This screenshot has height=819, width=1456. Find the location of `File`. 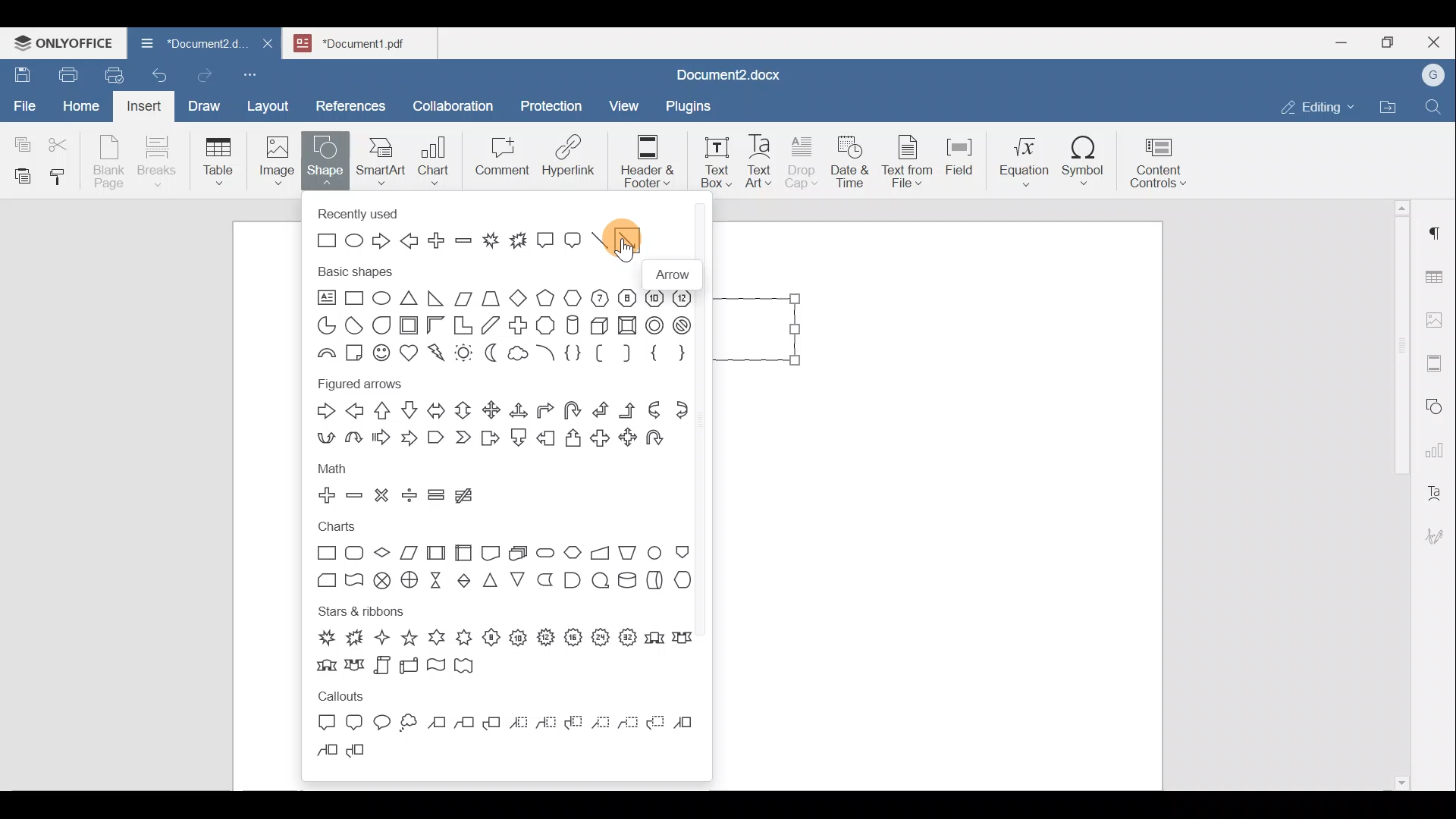

File is located at coordinates (26, 101).